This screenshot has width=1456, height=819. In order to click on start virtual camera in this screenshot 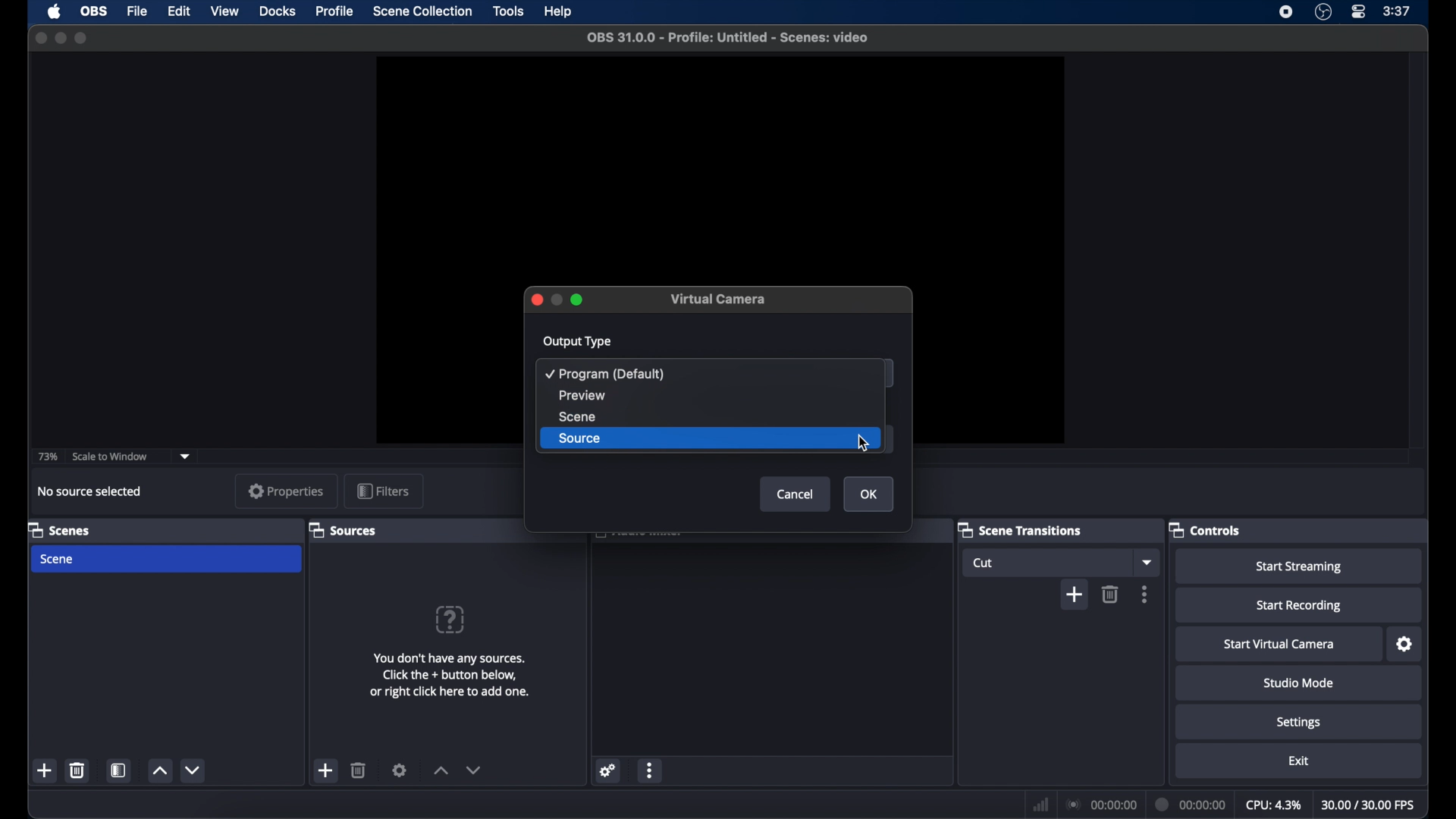, I will do `click(1279, 645)`.